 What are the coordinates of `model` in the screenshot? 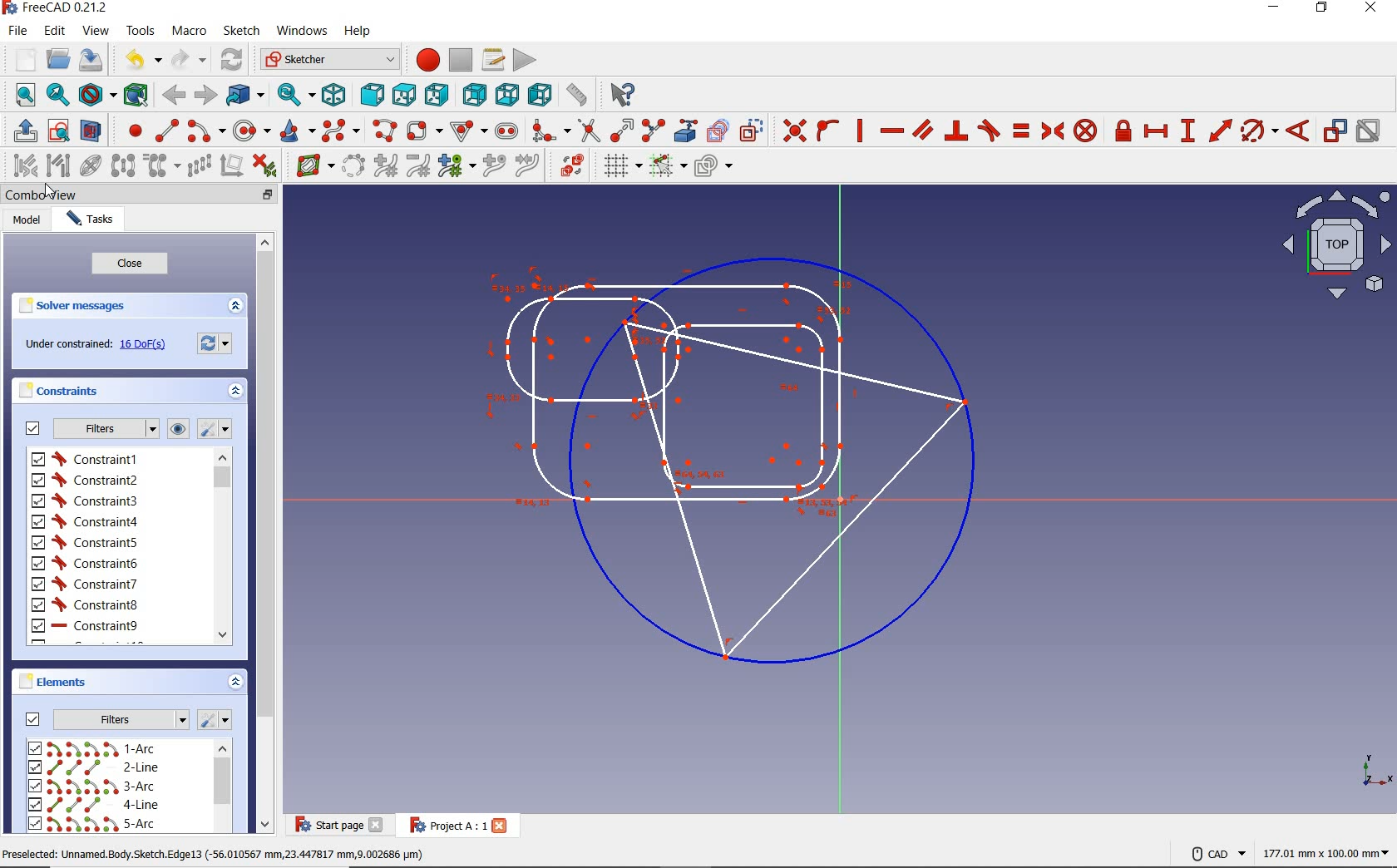 It's located at (28, 223).